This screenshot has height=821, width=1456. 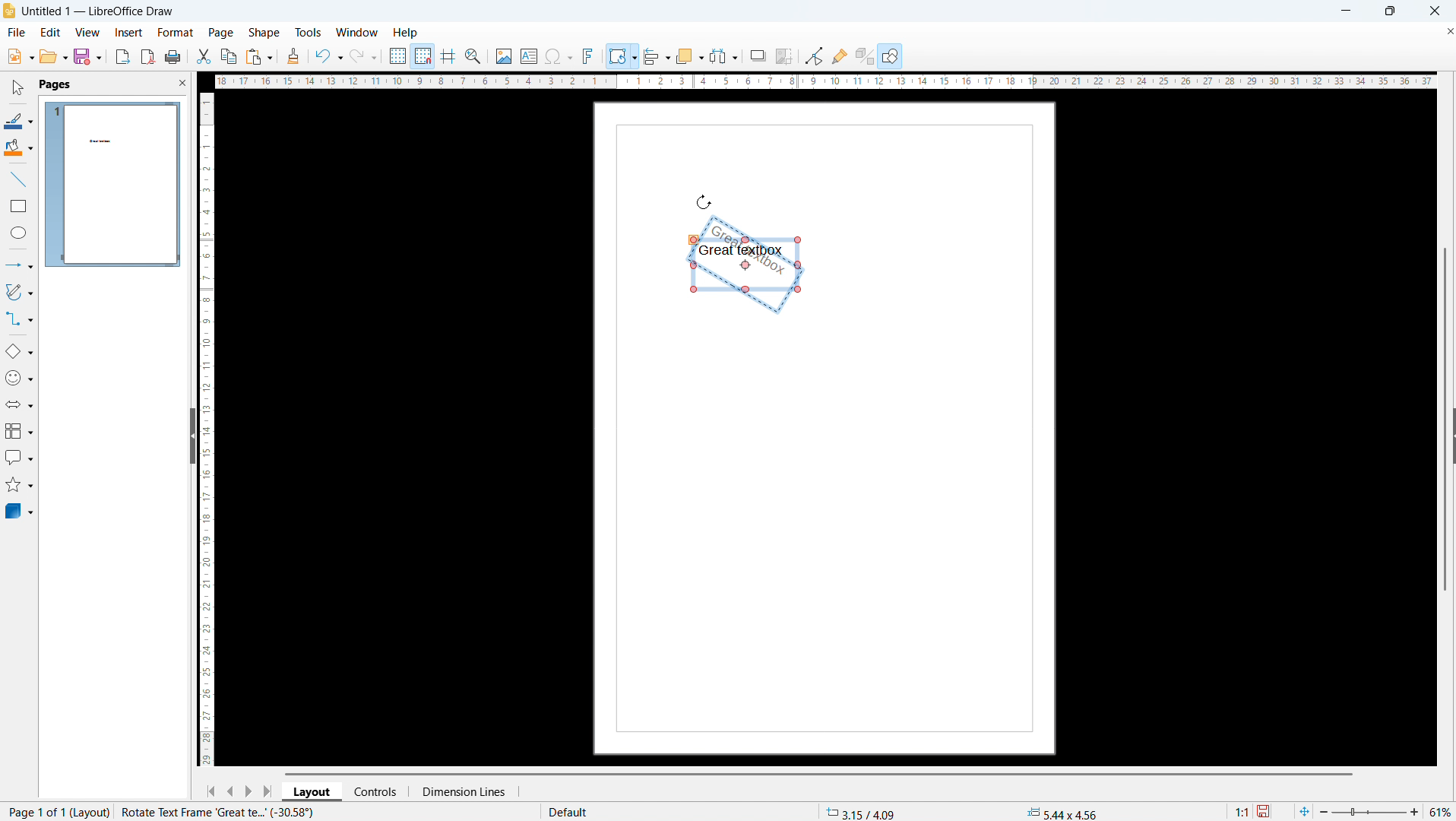 What do you see at coordinates (758, 55) in the screenshot?
I see `shadow` at bounding box center [758, 55].